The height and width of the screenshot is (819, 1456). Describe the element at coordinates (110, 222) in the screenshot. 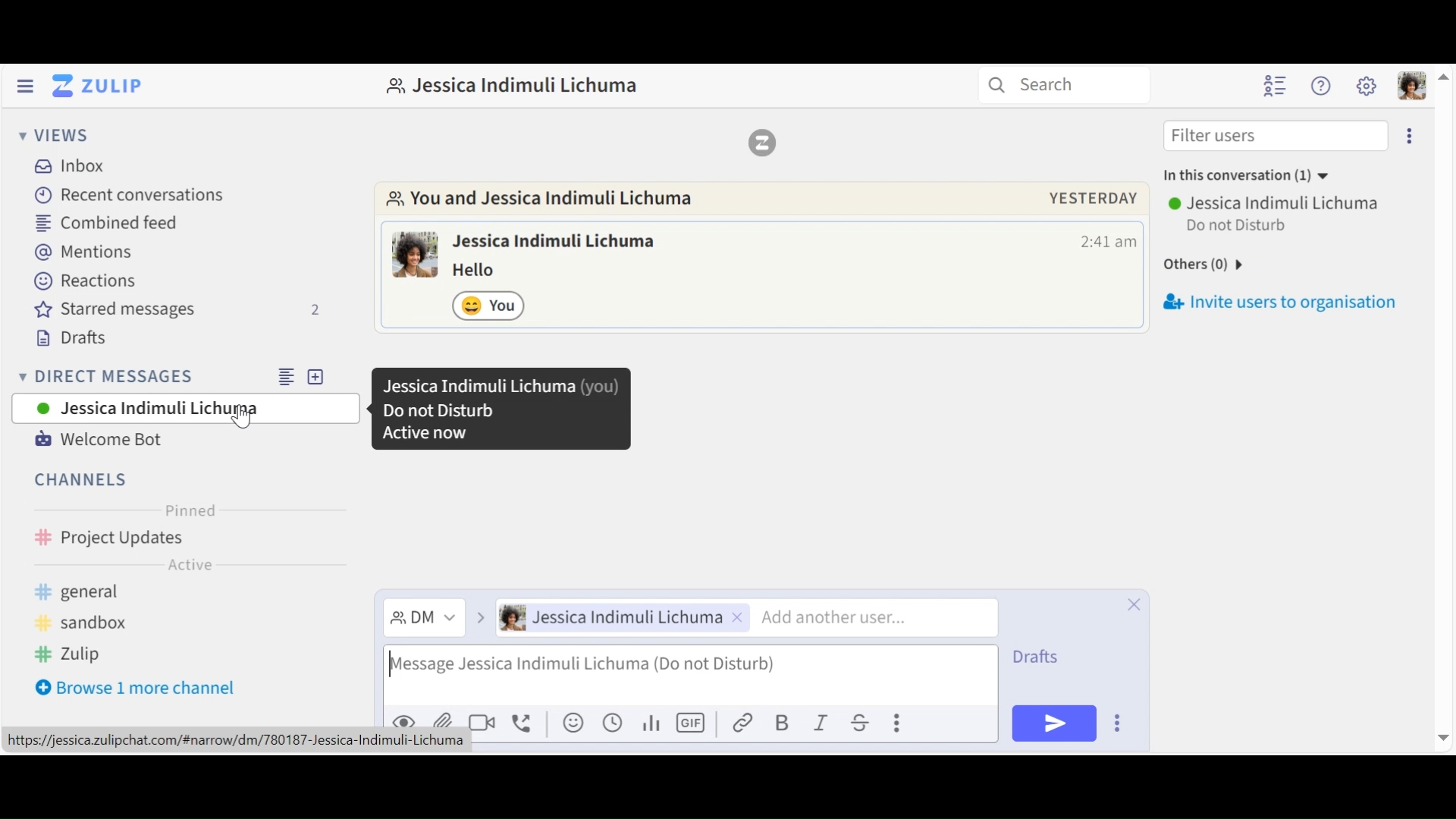

I see `Combined feed` at that location.